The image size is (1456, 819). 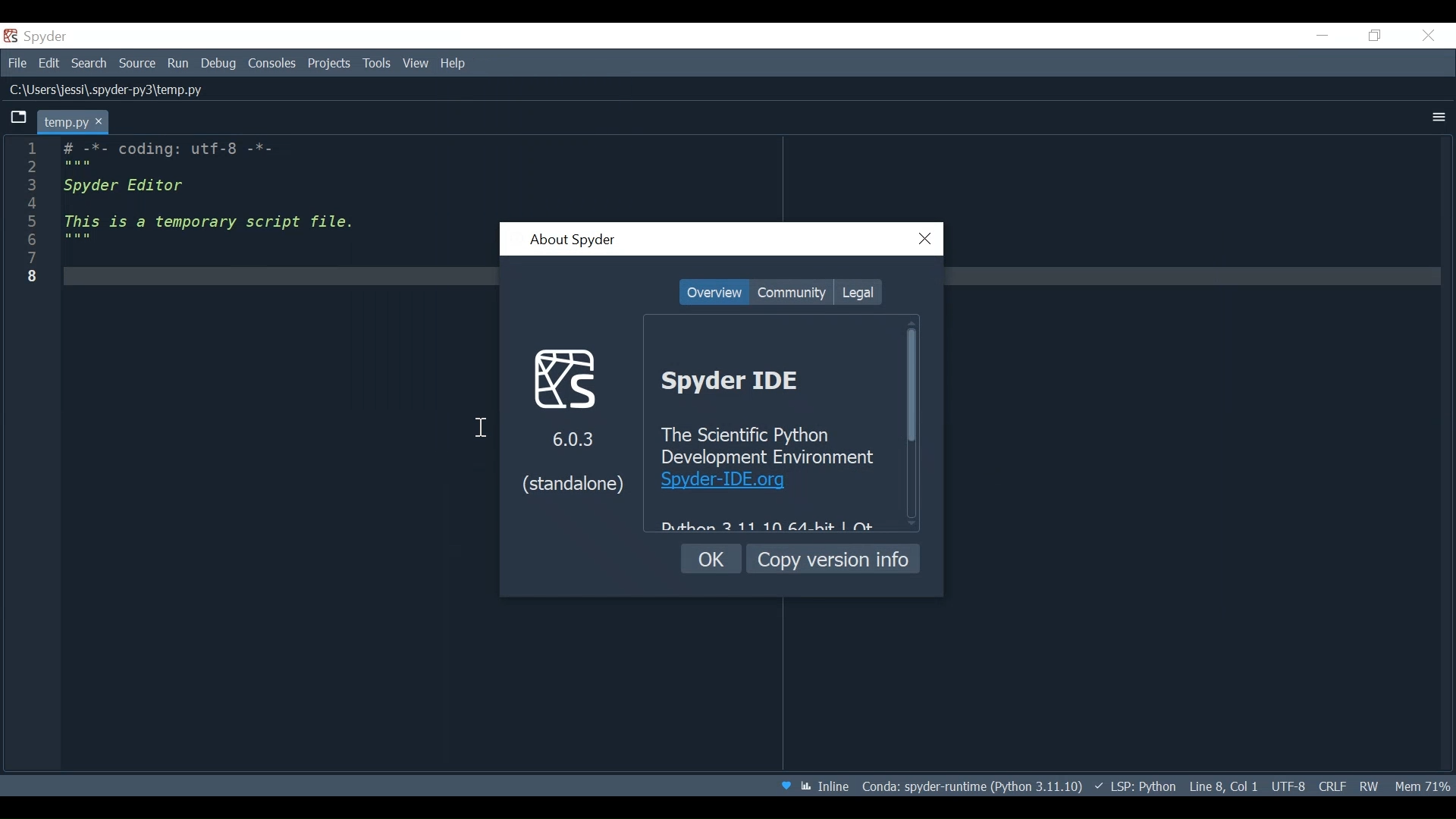 I want to click on Tools, so click(x=376, y=65).